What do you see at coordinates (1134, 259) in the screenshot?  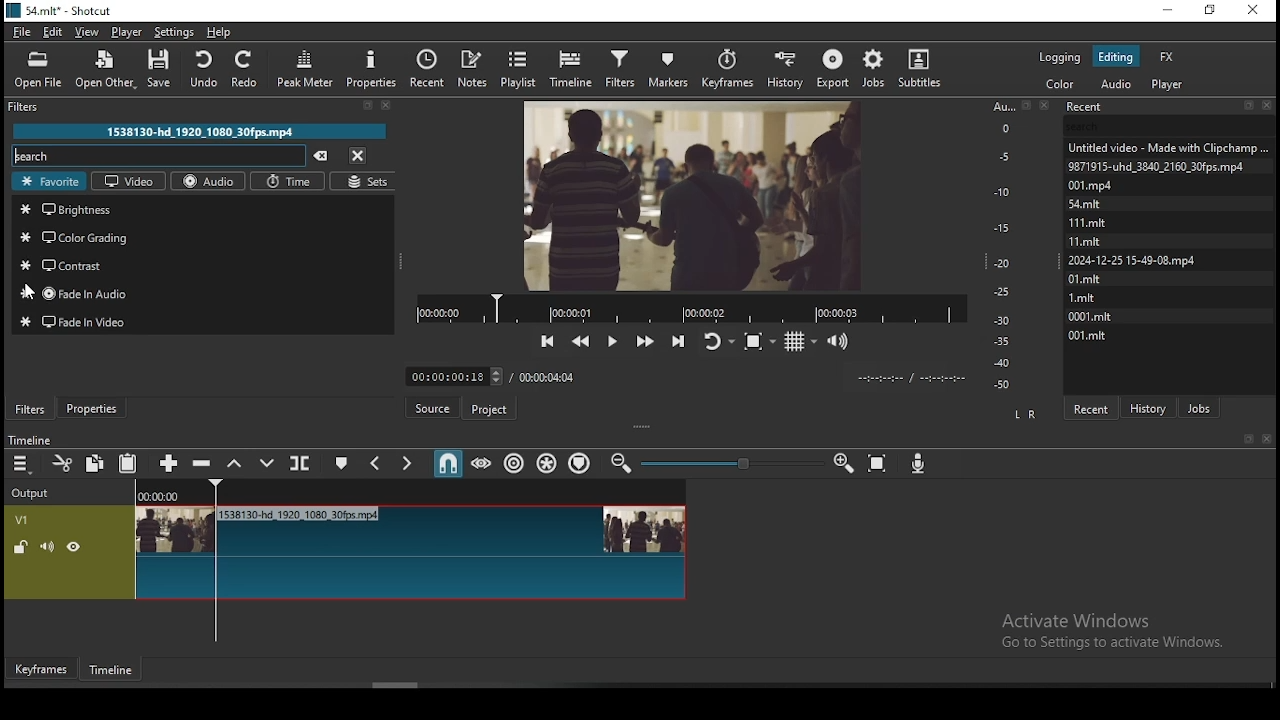 I see `2024-12-25 15-49-08. mp4` at bounding box center [1134, 259].